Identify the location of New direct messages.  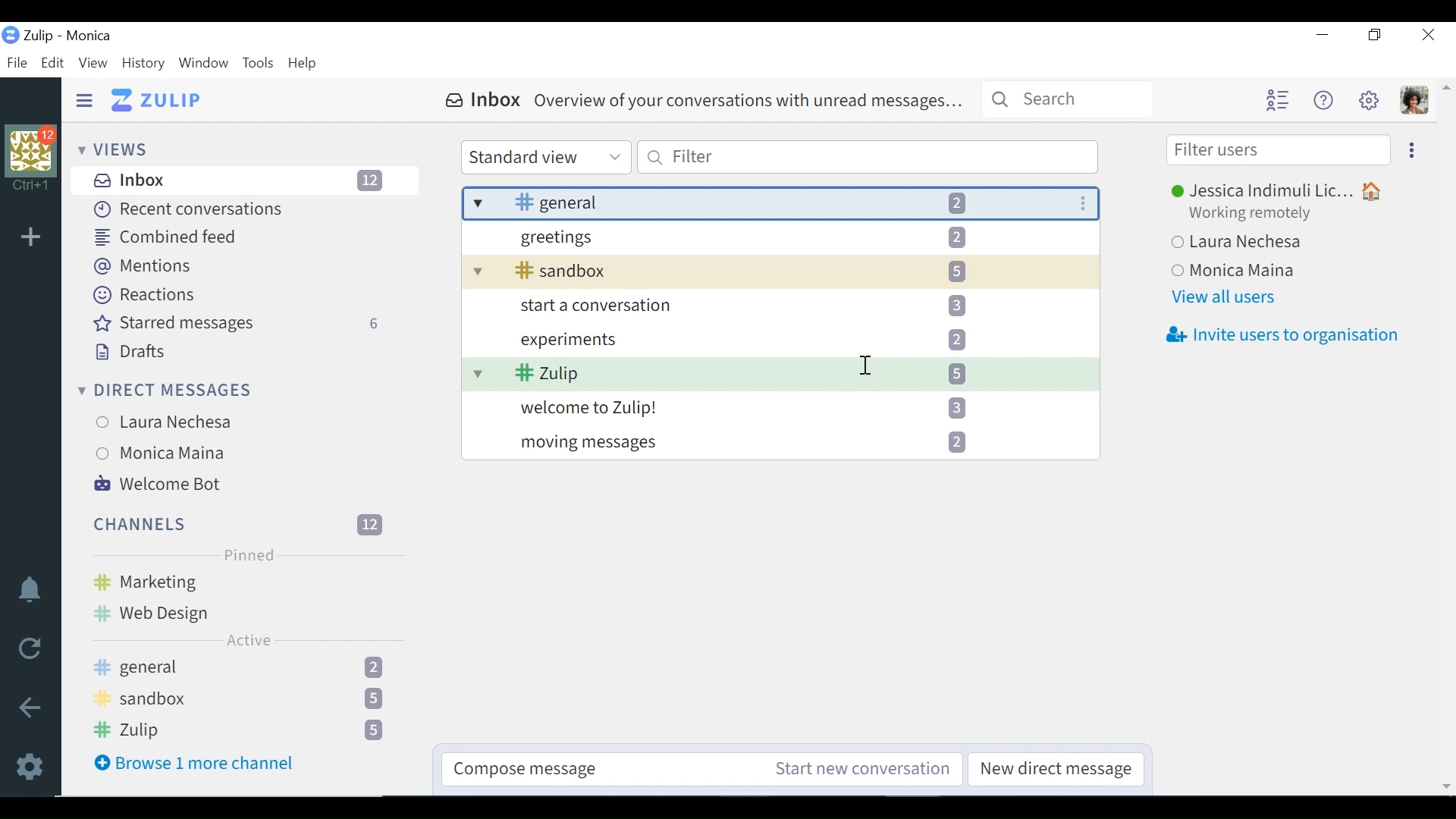
(1055, 767).